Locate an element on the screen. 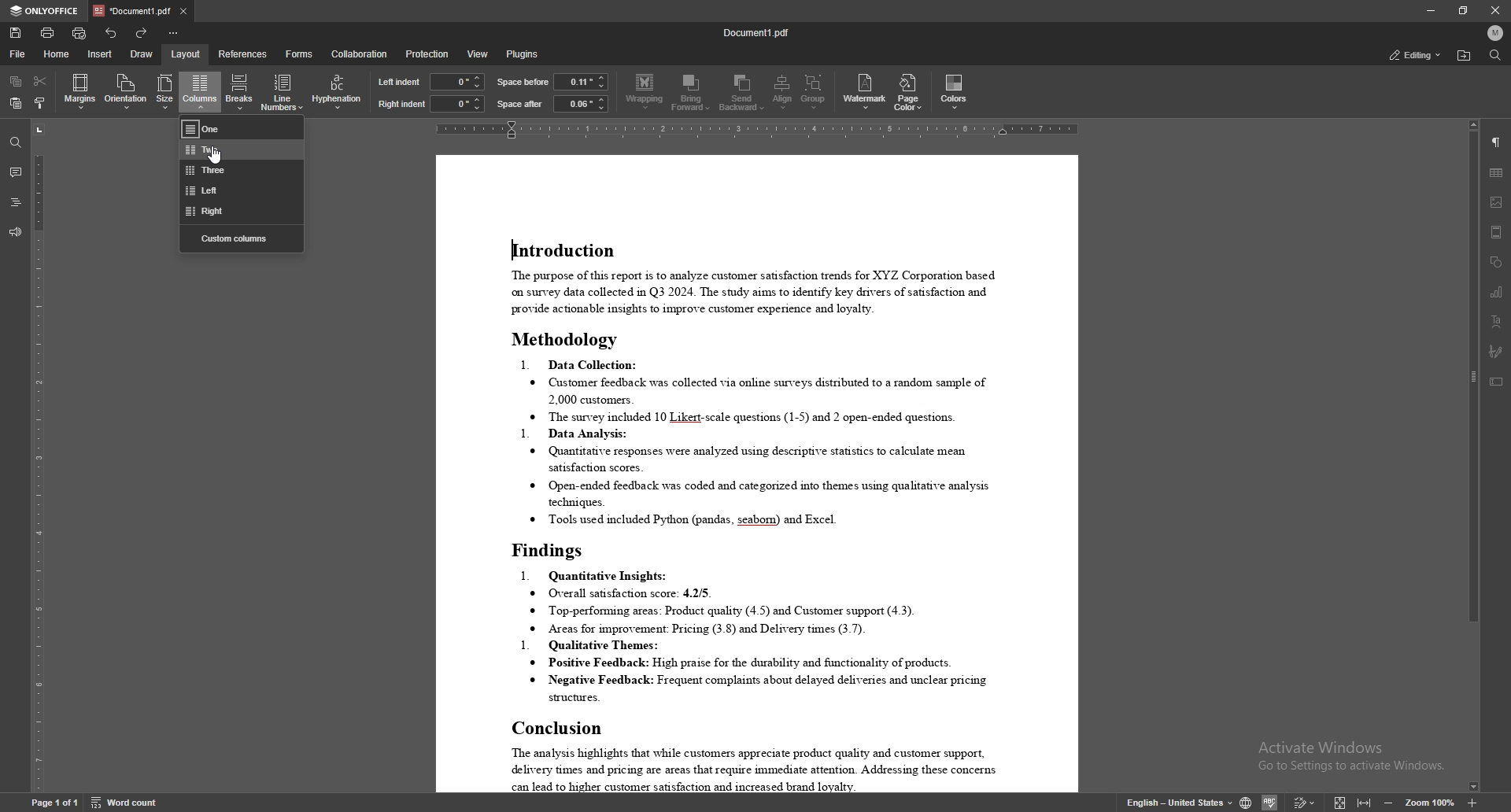 The height and width of the screenshot is (812, 1511). cut is located at coordinates (39, 81).